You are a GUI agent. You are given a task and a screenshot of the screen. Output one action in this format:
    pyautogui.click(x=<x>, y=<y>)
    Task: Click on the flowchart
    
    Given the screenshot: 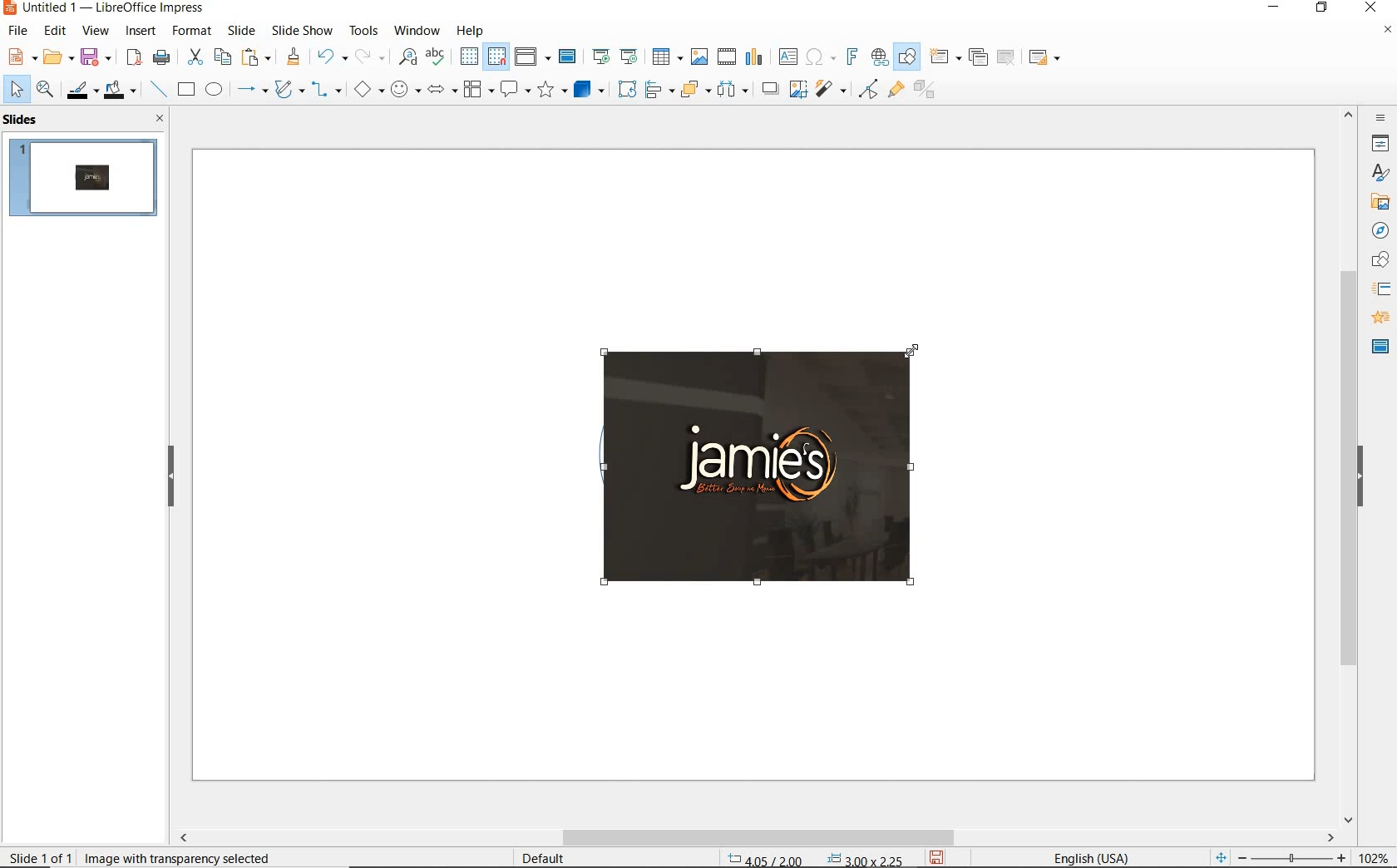 What is the action you would take?
    pyautogui.click(x=477, y=91)
    